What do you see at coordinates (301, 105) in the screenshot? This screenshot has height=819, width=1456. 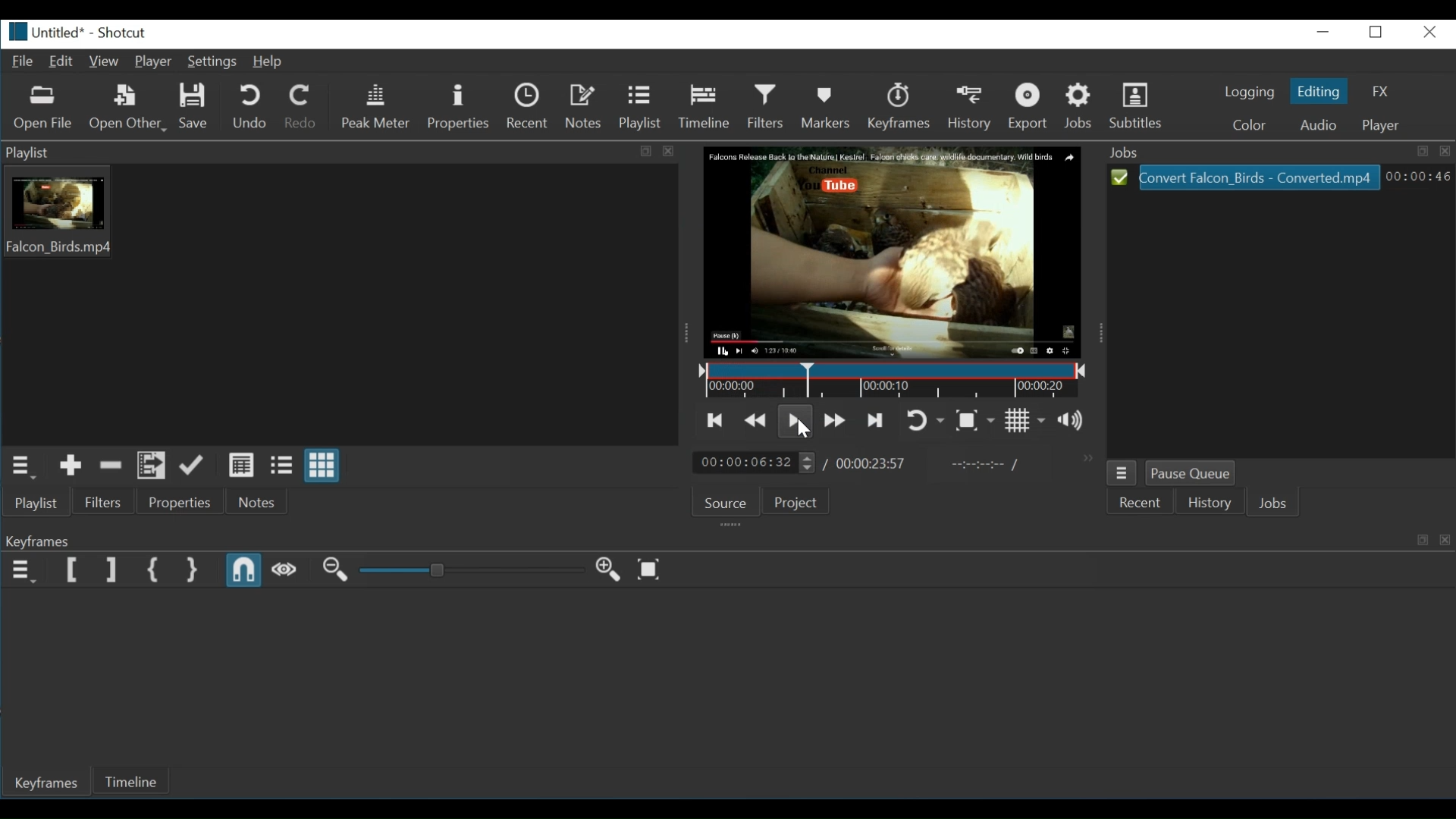 I see `Redo` at bounding box center [301, 105].